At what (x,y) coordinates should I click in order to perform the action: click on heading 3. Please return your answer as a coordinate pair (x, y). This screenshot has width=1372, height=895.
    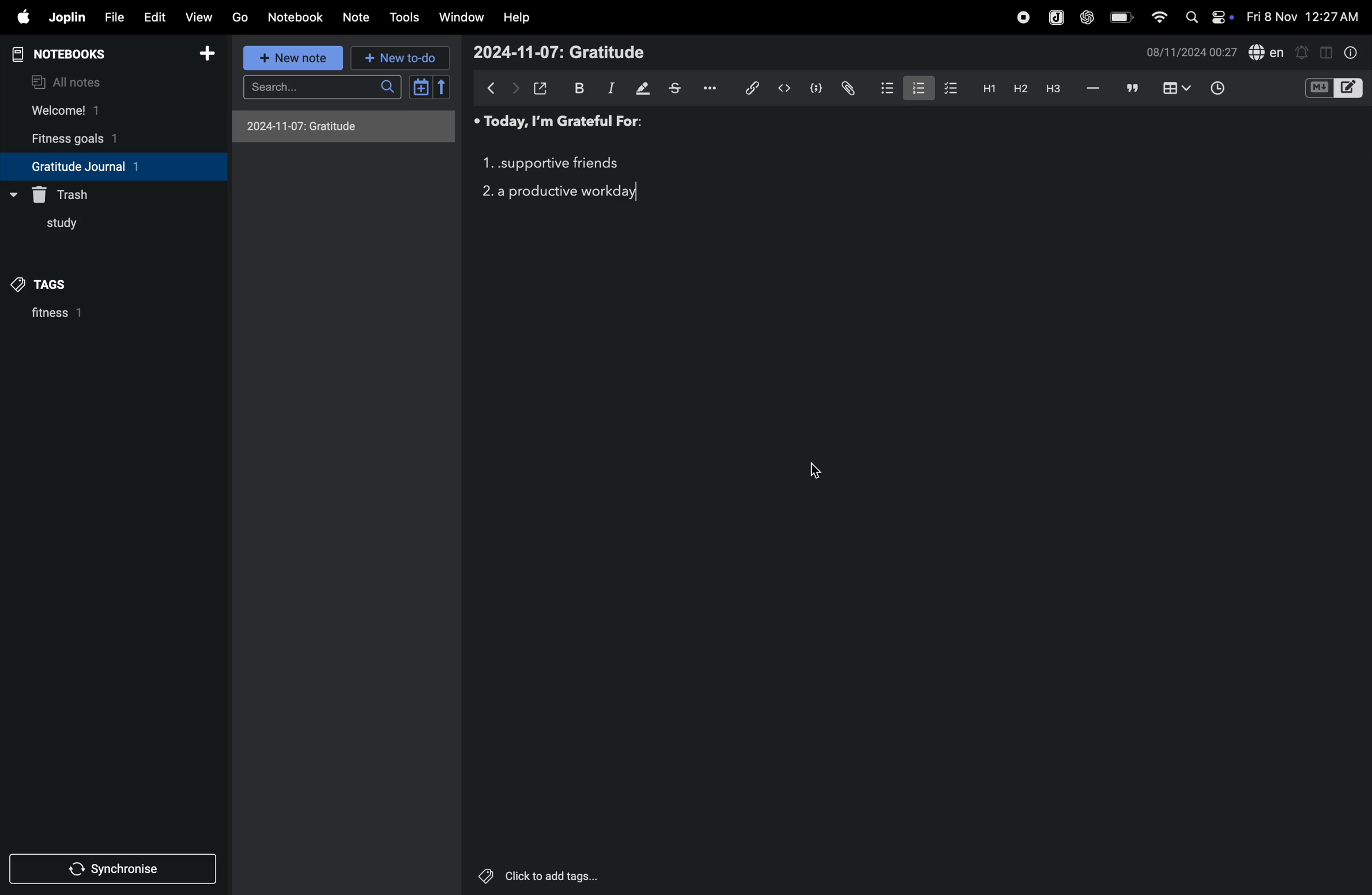
    Looking at the image, I should click on (1056, 92).